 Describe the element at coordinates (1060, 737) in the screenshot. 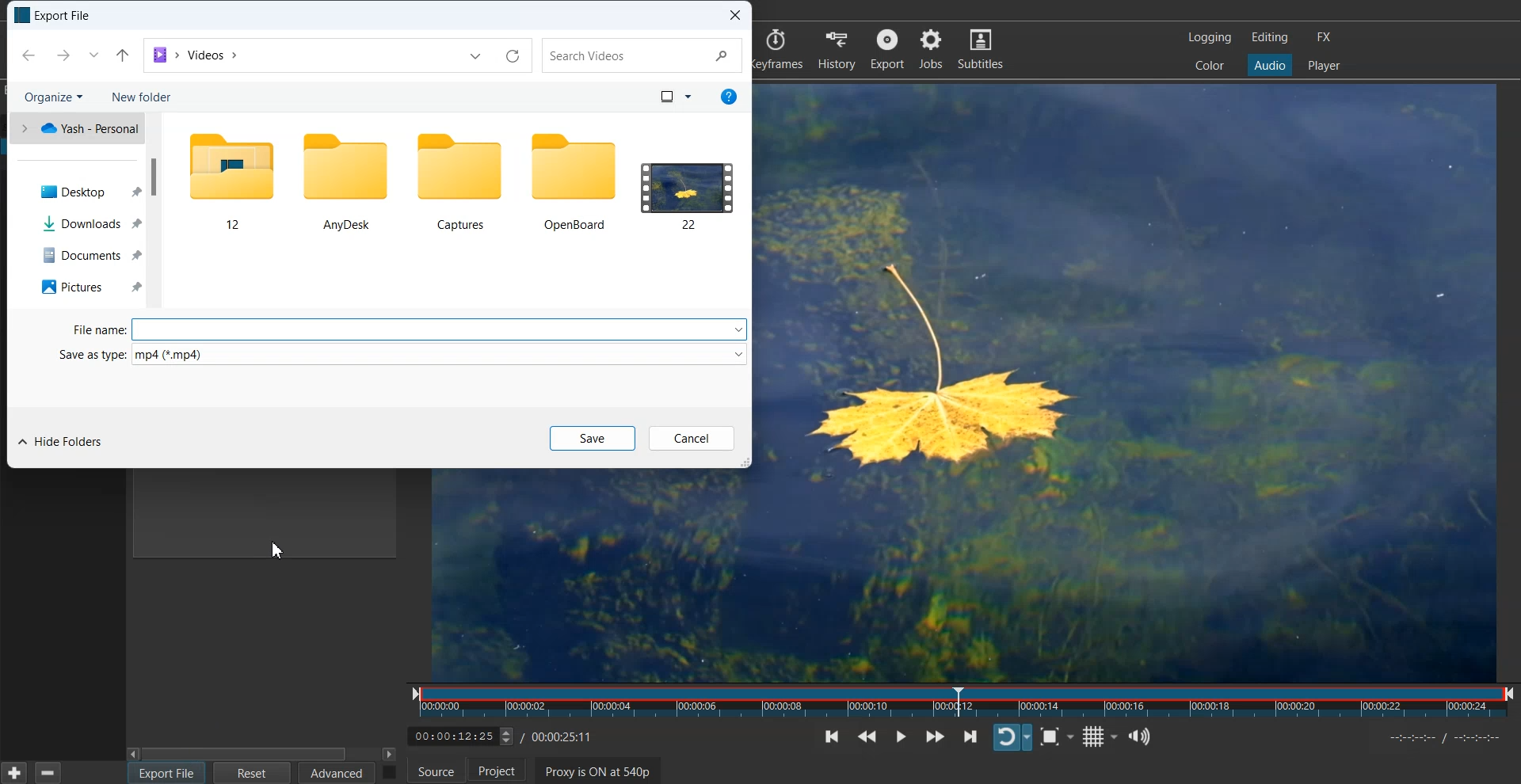

I see `Toggle Zoom` at that location.